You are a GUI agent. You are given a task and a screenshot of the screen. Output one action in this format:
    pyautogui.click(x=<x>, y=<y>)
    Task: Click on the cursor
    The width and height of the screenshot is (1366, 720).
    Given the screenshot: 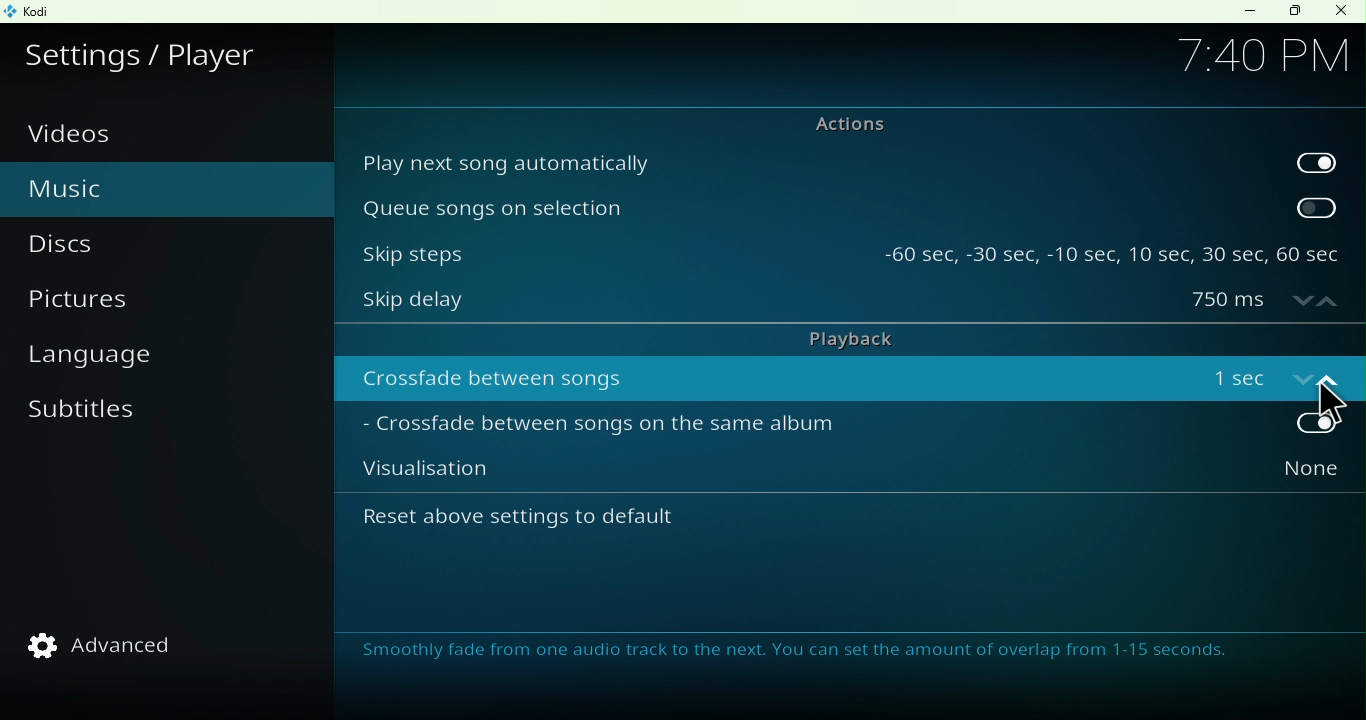 What is the action you would take?
    pyautogui.click(x=1328, y=402)
    